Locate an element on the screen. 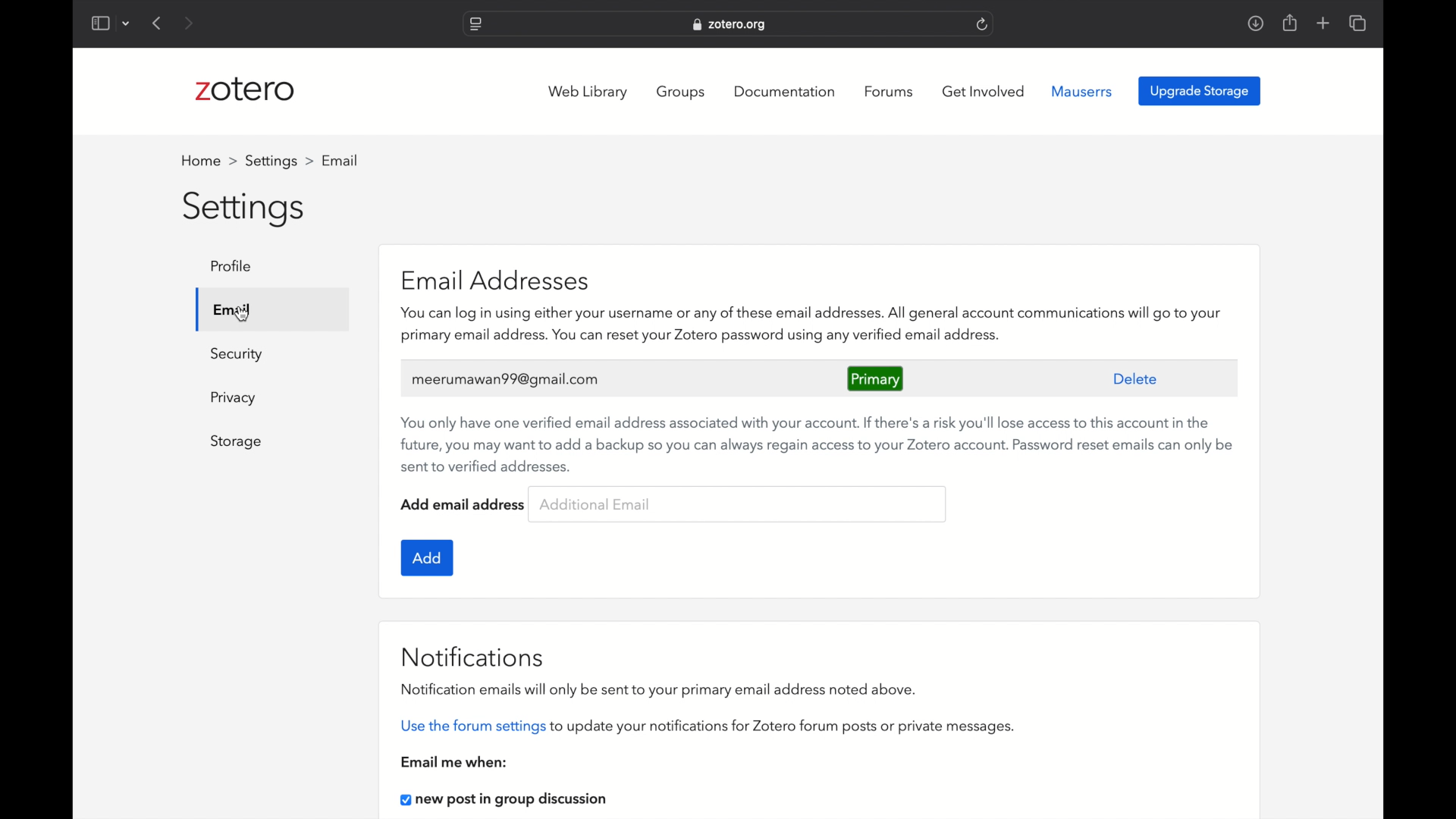  cursor is located at coordinates (242, 314).